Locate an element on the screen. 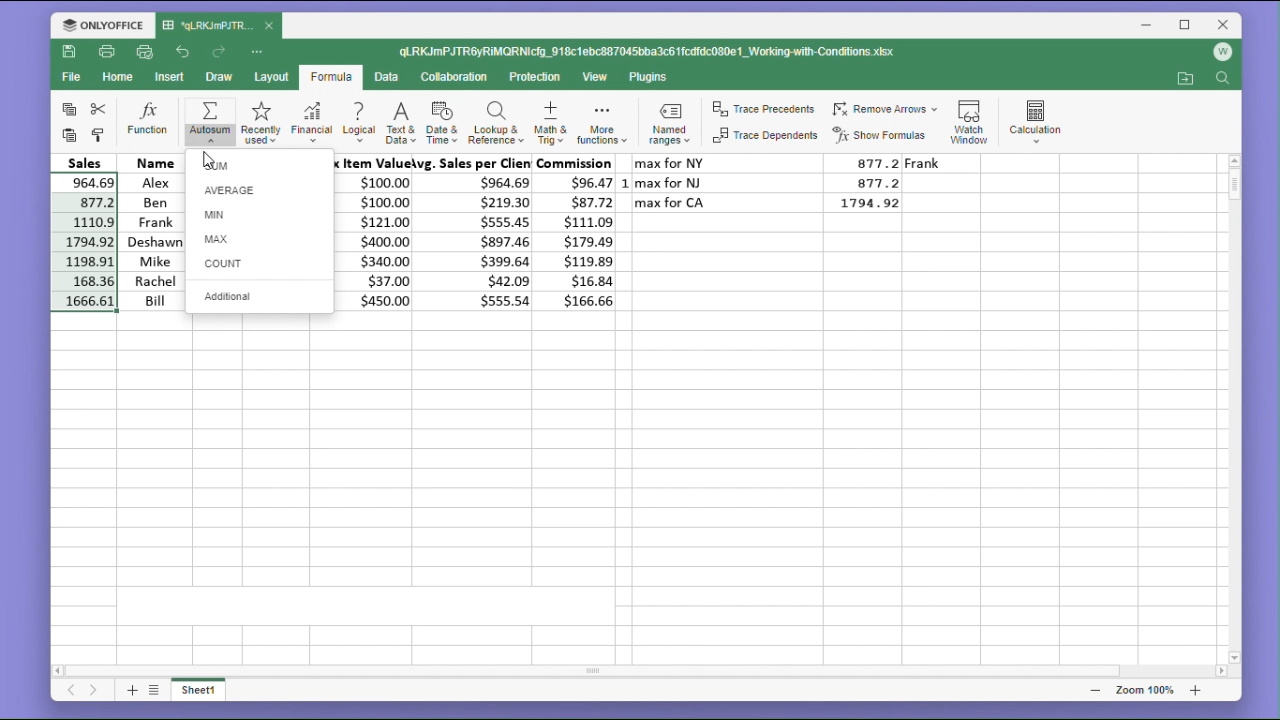 This screenshot has width=1280, height=720. financial is located at coordinates (310, 119).